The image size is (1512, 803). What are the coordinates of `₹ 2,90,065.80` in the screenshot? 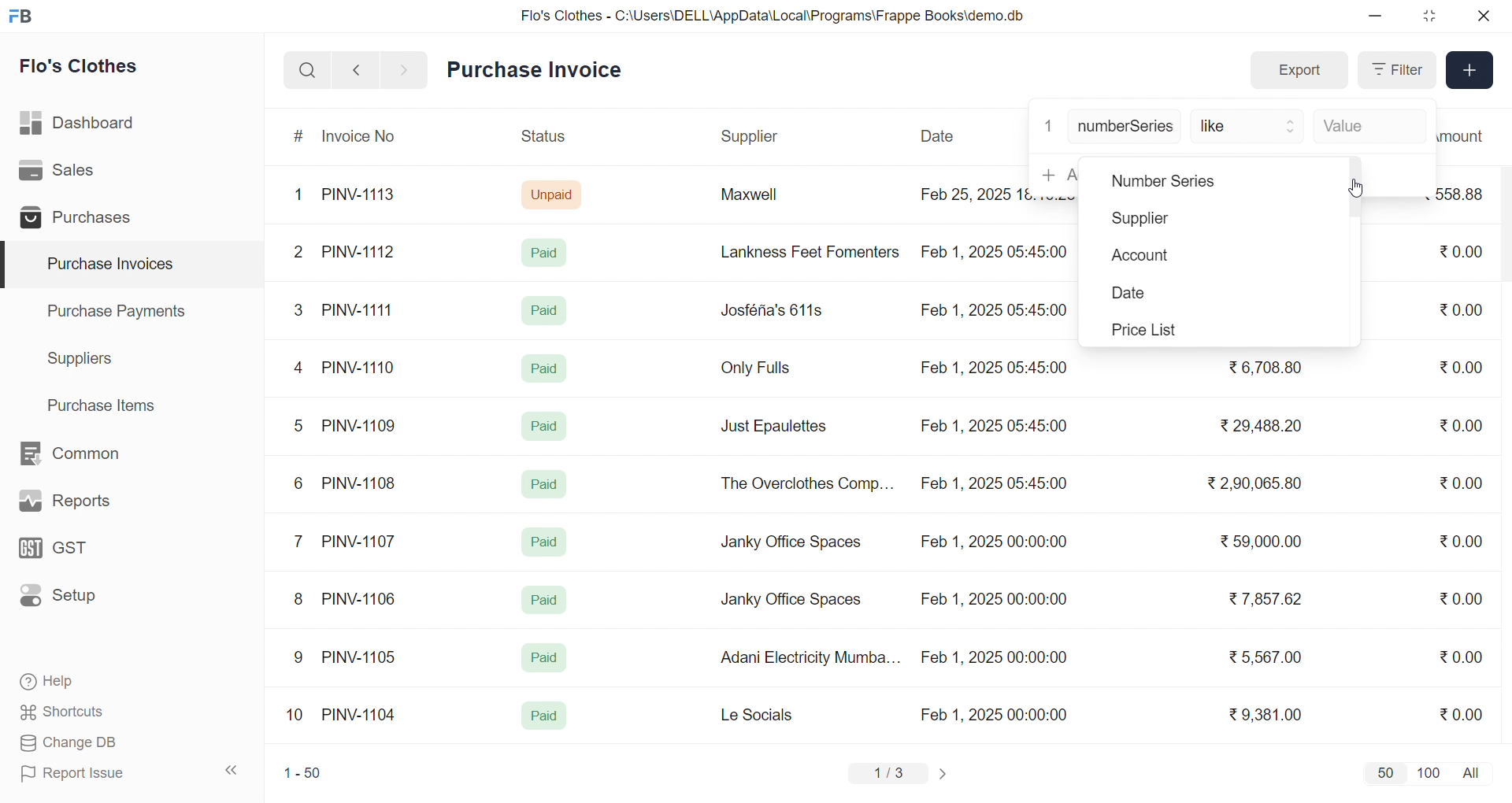 It's located at (1256, 484).